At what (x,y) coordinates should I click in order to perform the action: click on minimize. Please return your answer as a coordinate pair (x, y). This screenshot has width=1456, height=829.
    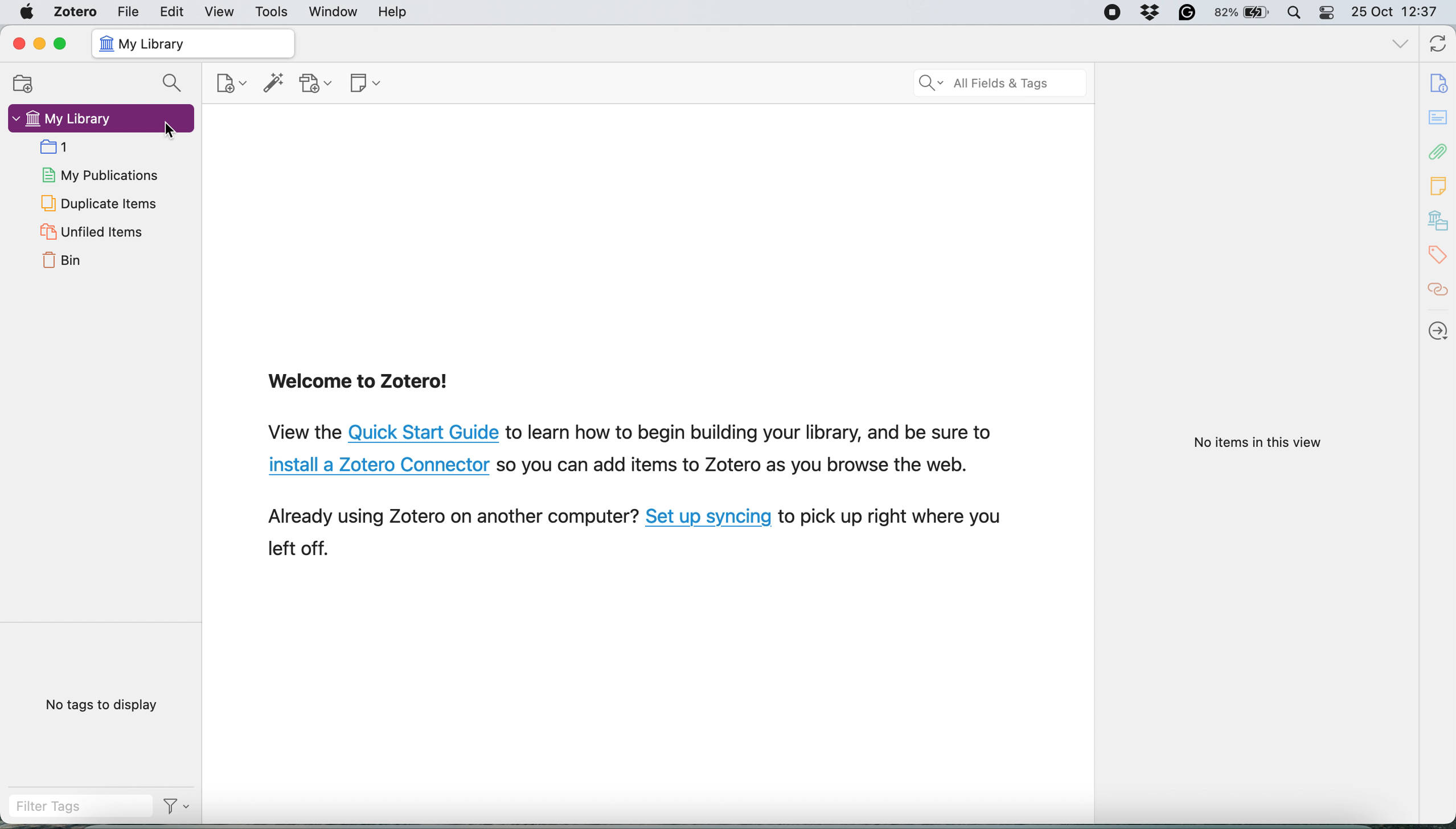
    Looking at the image, I should click on (41, 46).